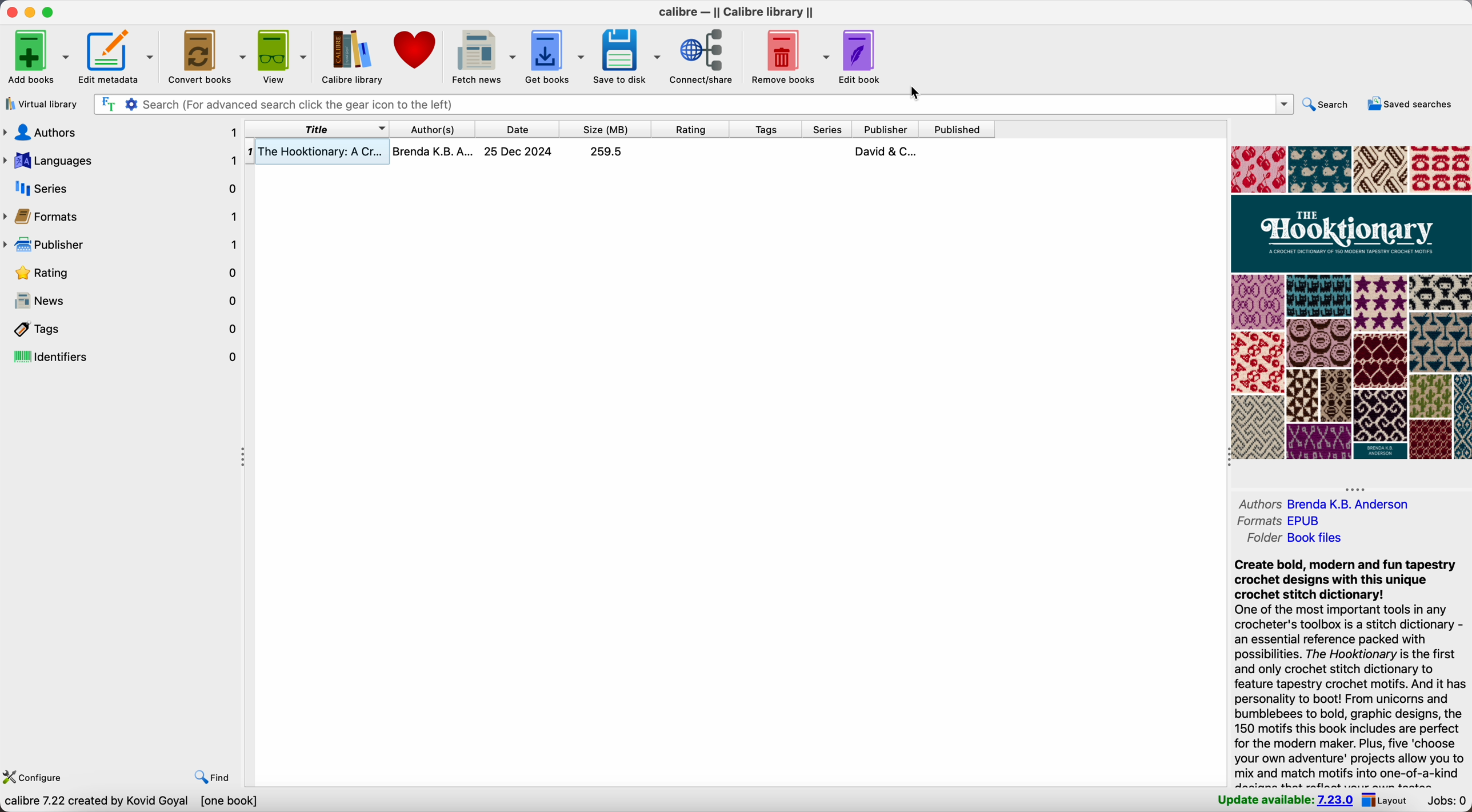  What do you see at coordinates (1278, 522) in the screenshot?
I see `formats` at bounding box center [1278, 522].